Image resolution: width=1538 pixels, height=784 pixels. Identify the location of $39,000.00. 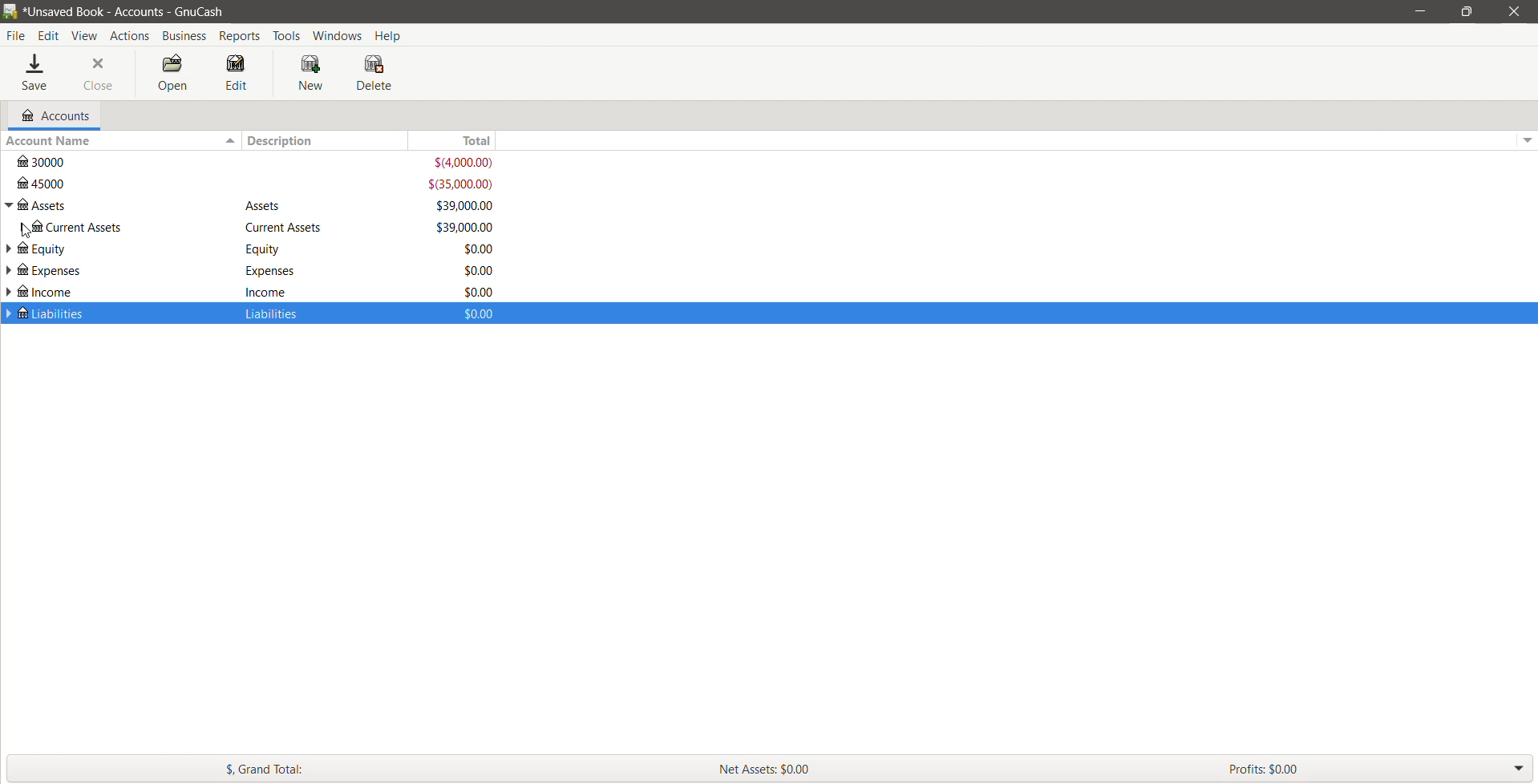
(466, 205).